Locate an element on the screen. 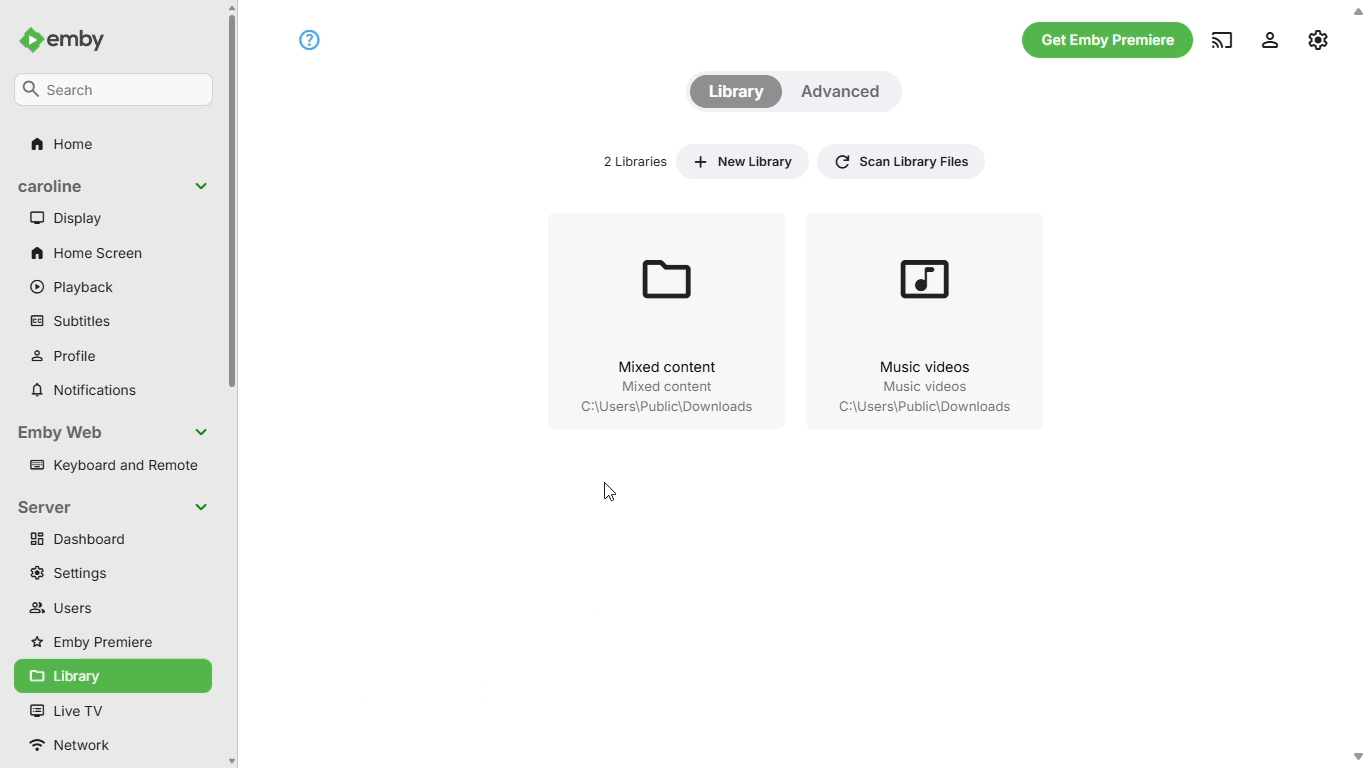 This screenshot has height=768, width=1366. new library is located at coordinates (743, 161).